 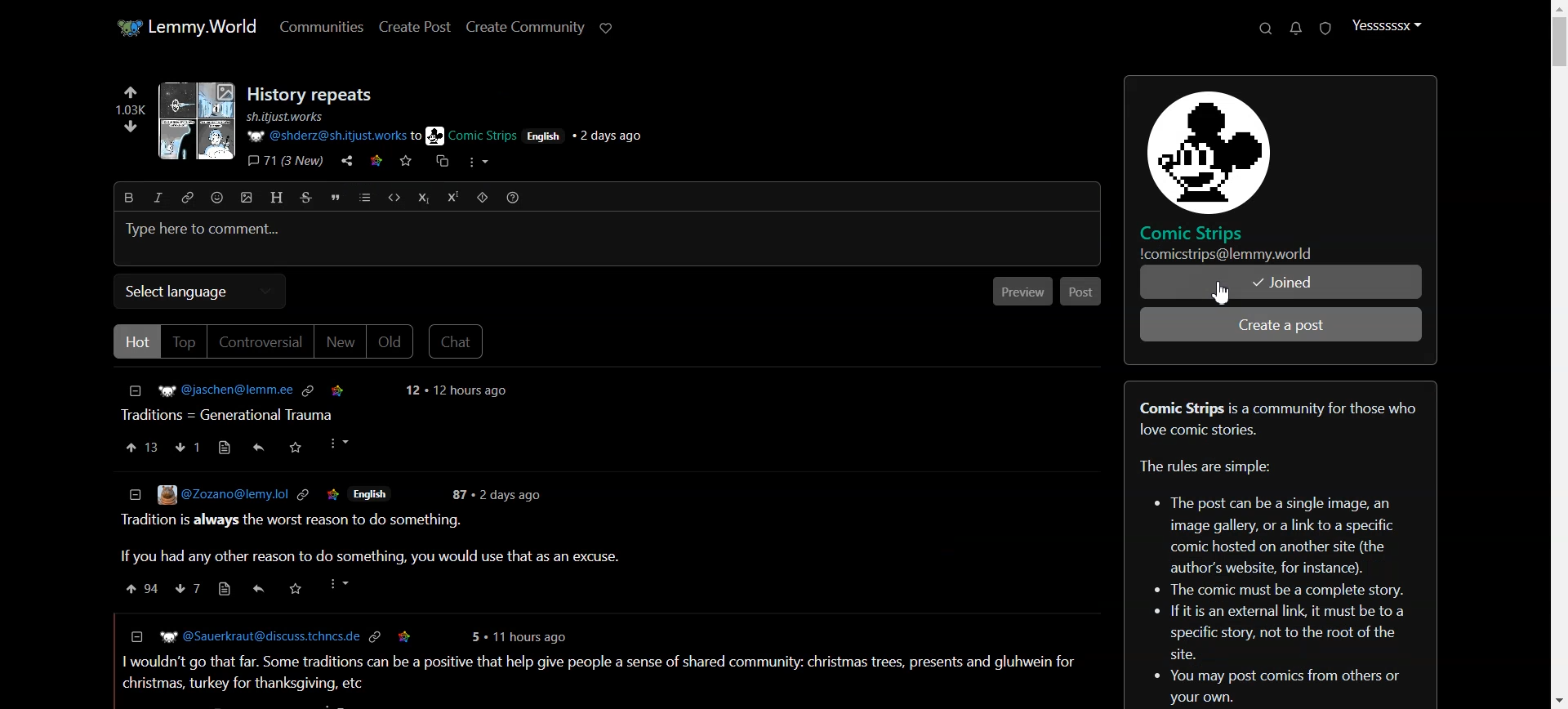 I want to click on English, so click(x=376, y=494).